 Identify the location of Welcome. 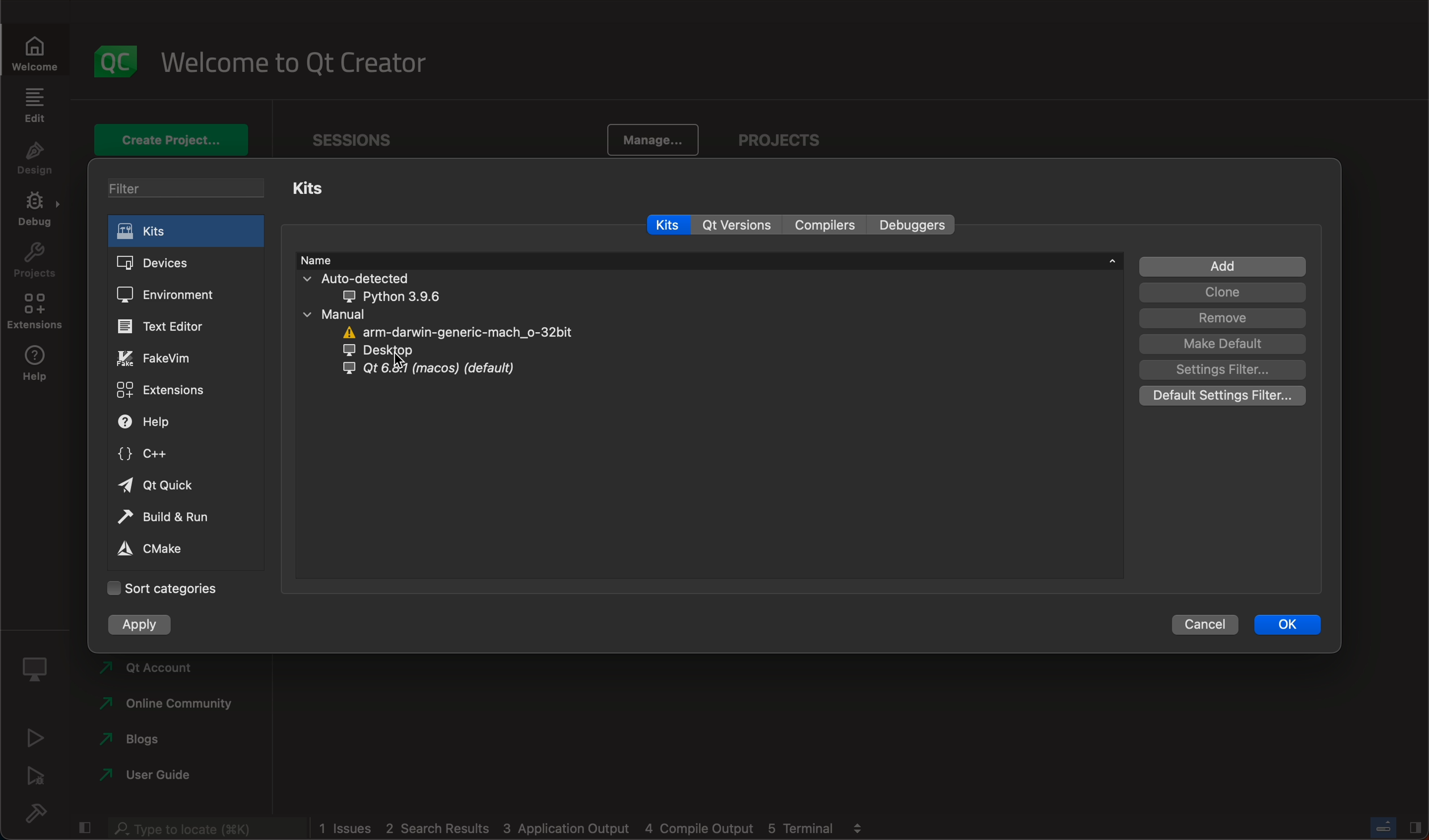
(41, 52).